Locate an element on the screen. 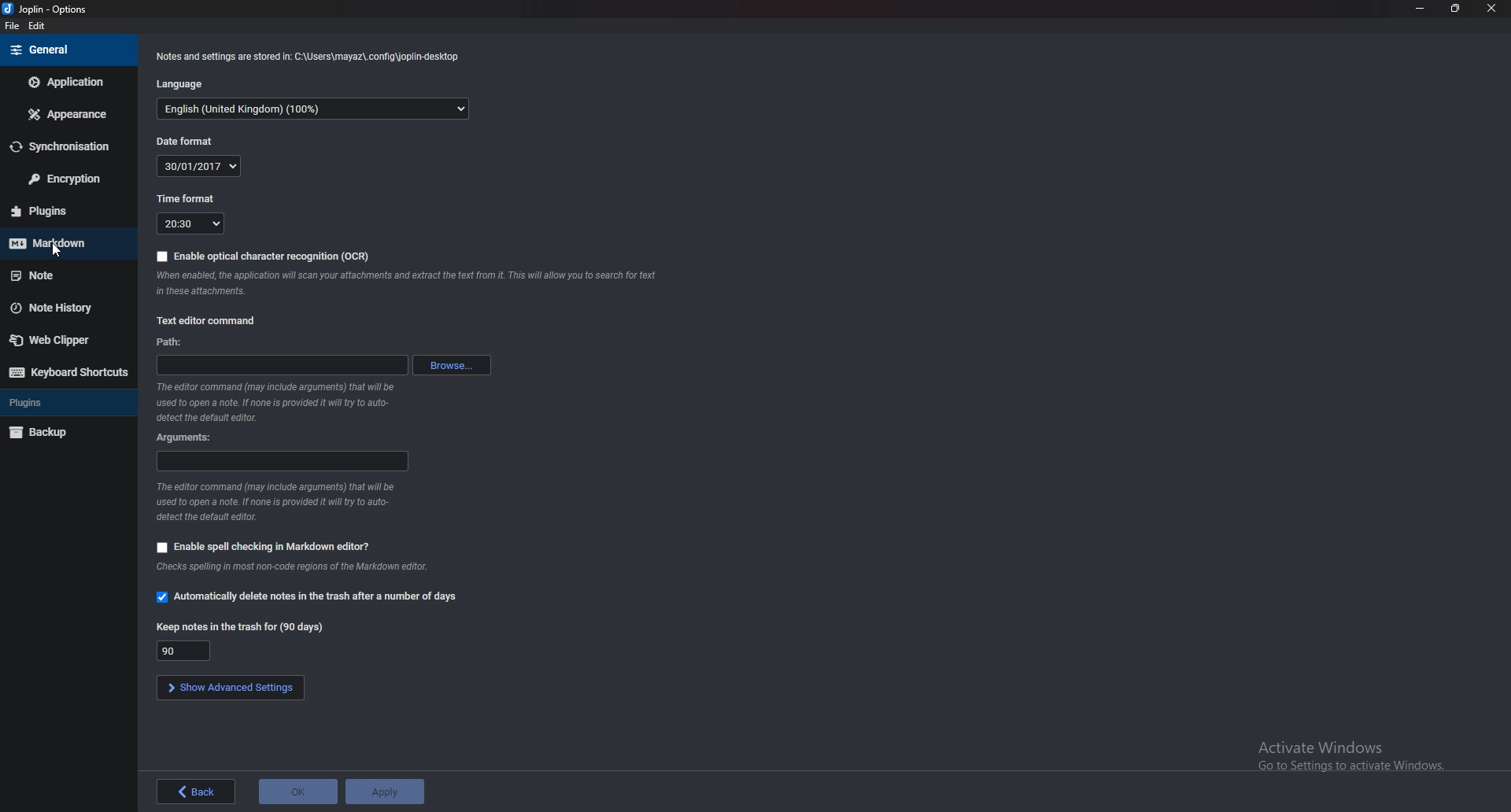 The image size is (1511, 812). Arguments is located at coordinates (188, 436).